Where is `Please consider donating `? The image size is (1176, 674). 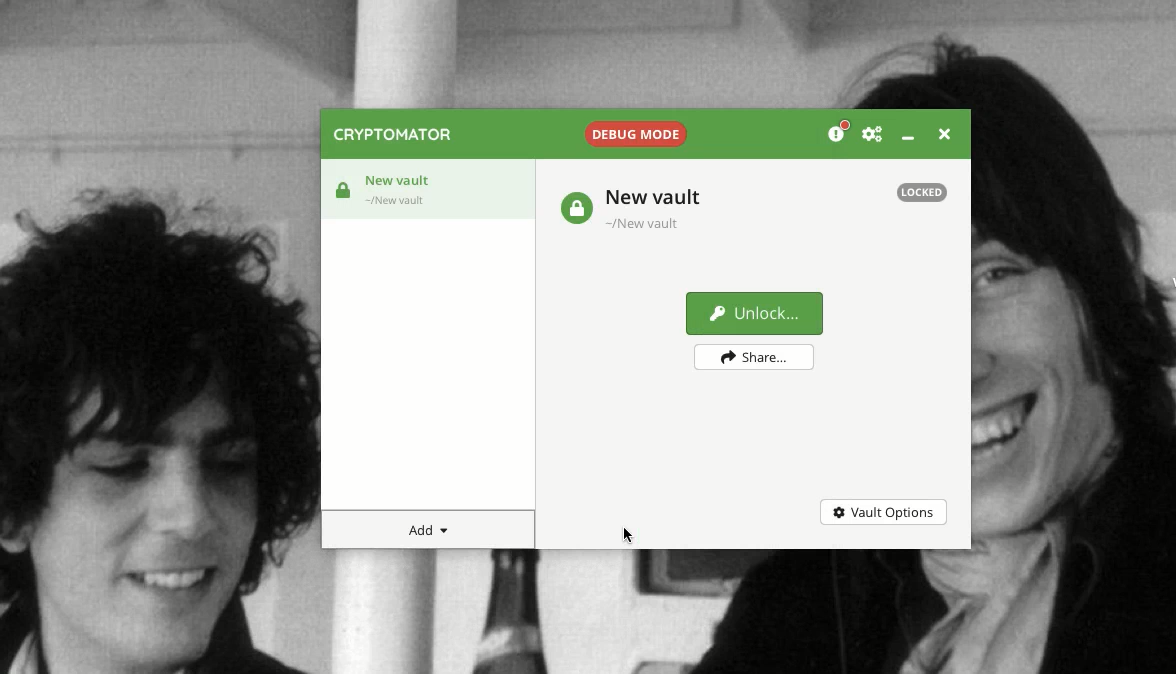
Please consider donating  is located at coordinates (836, 131).